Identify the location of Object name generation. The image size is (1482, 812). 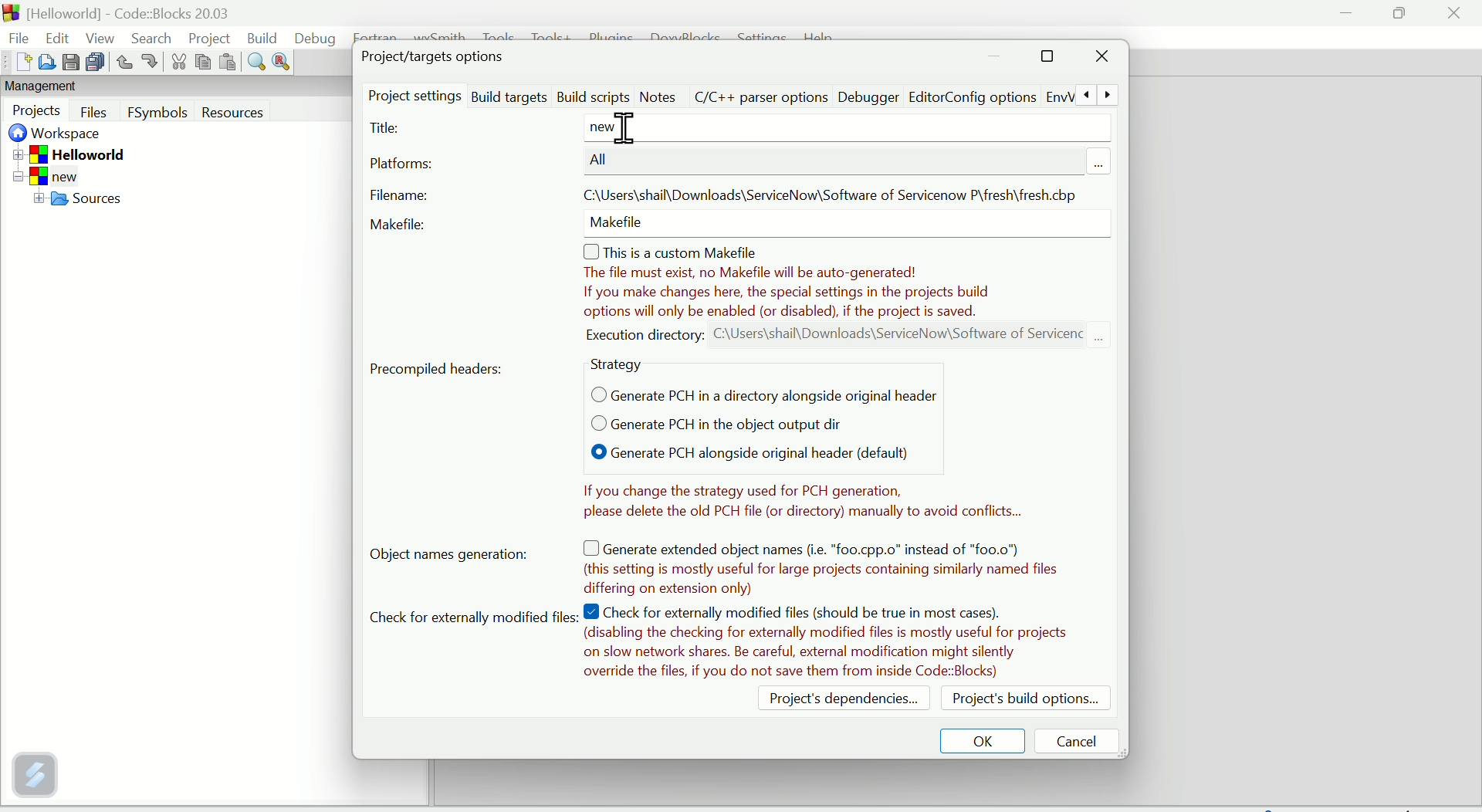
(462, 556).